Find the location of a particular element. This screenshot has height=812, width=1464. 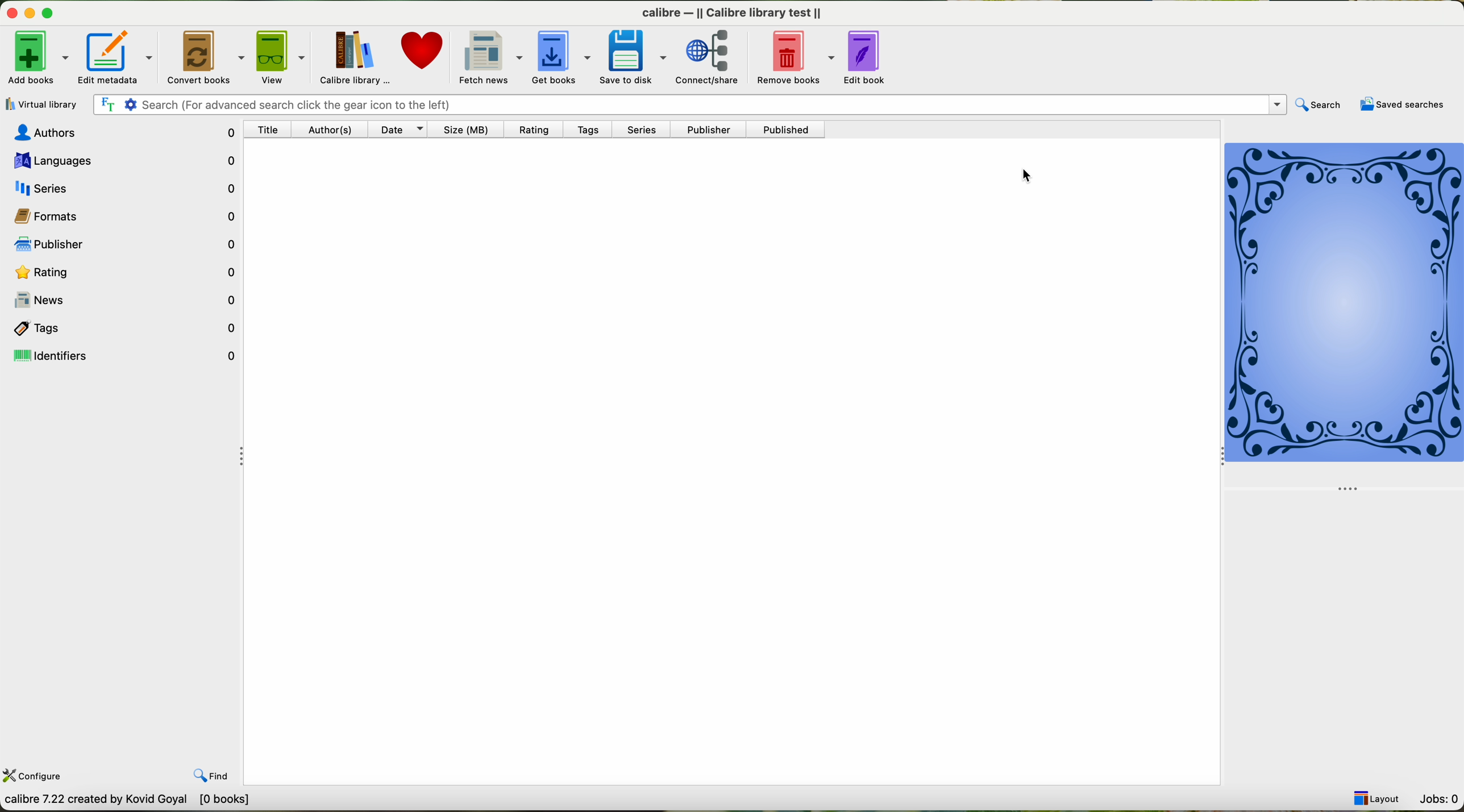

edit book is located at coordinates (860, 55).